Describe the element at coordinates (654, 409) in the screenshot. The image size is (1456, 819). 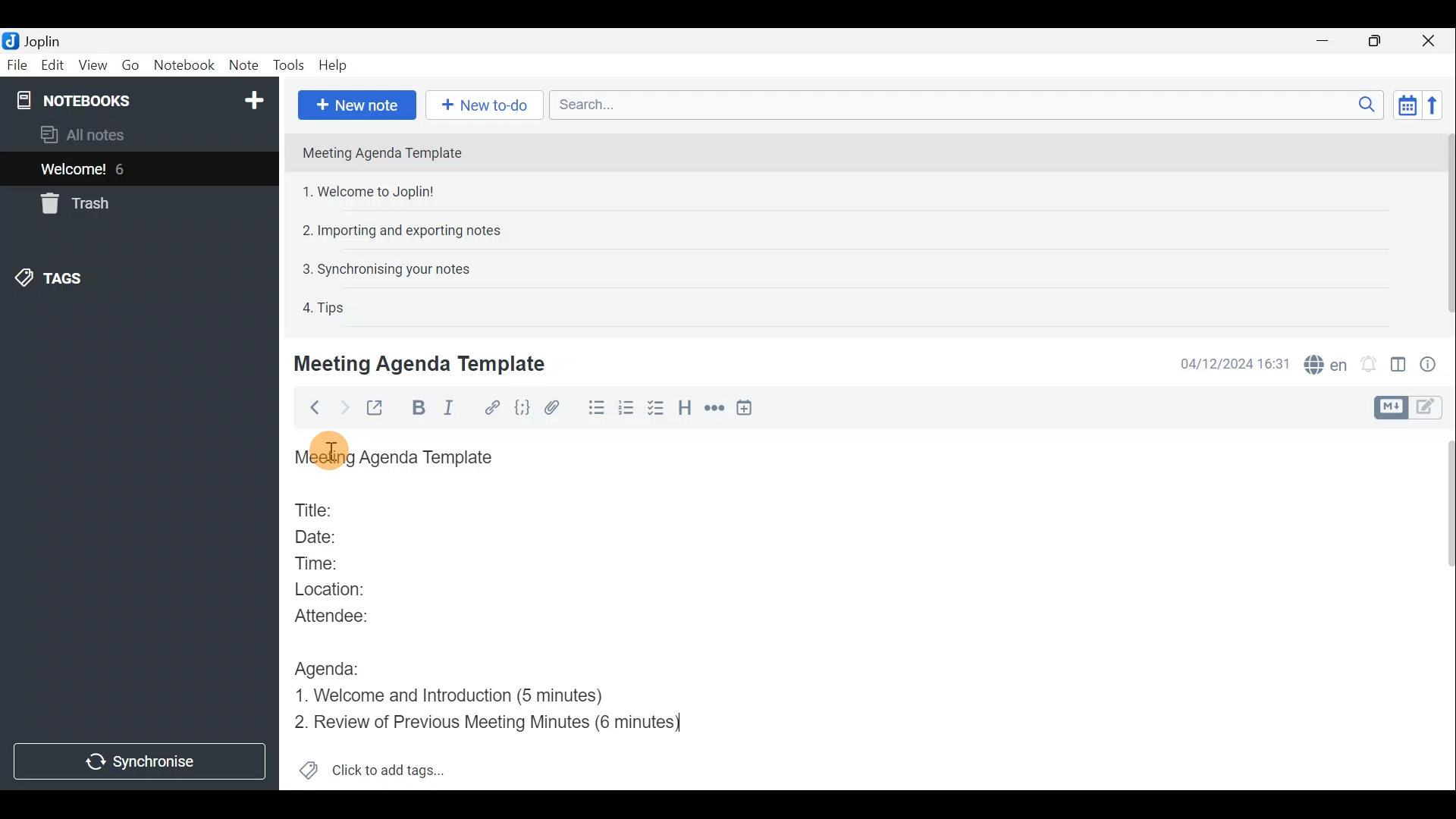
I see `Checkbox` at that location.